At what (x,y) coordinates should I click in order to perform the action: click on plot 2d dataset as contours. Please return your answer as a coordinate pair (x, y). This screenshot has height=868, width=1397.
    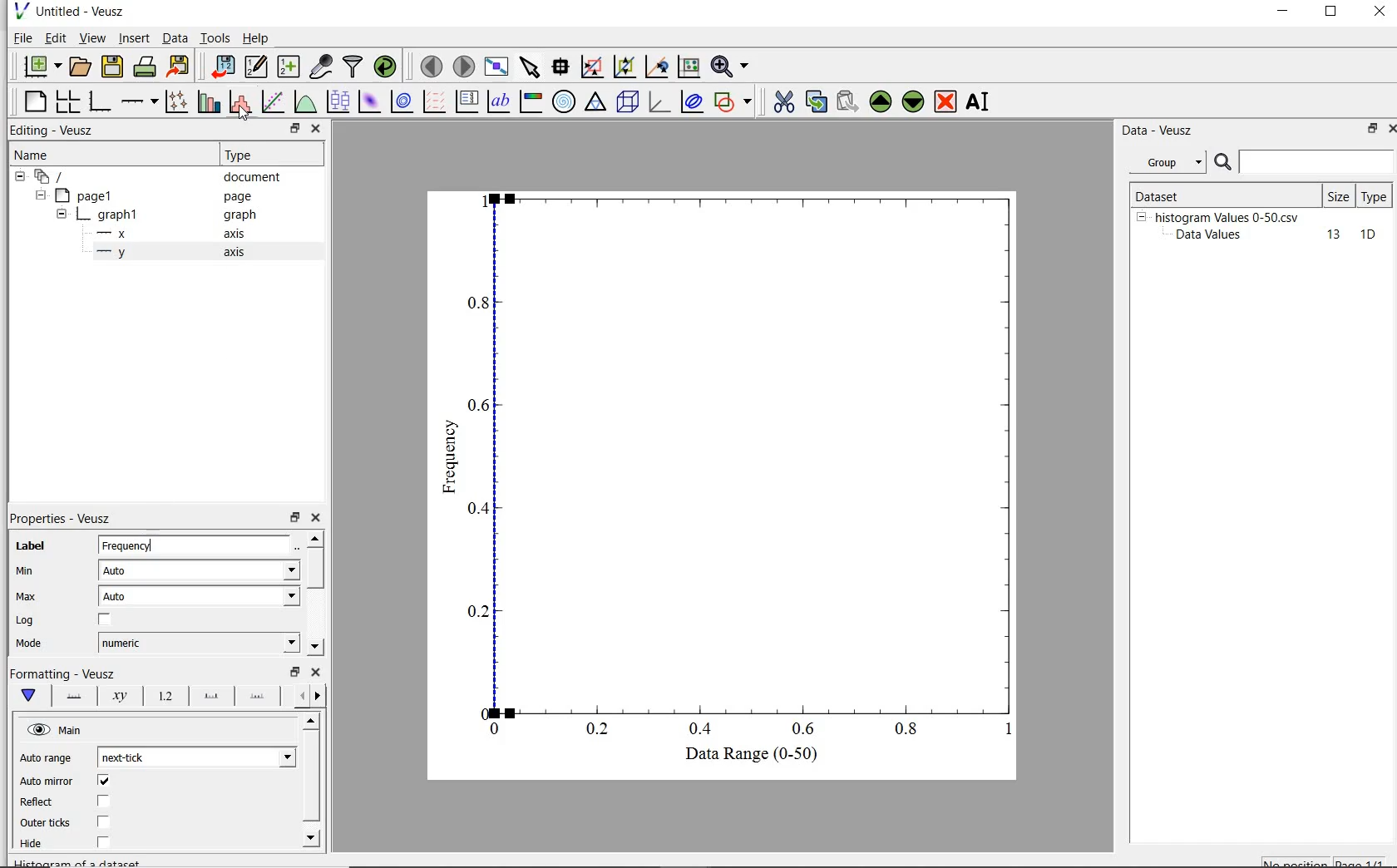
    Looking at the image, I should click on (402, 101).